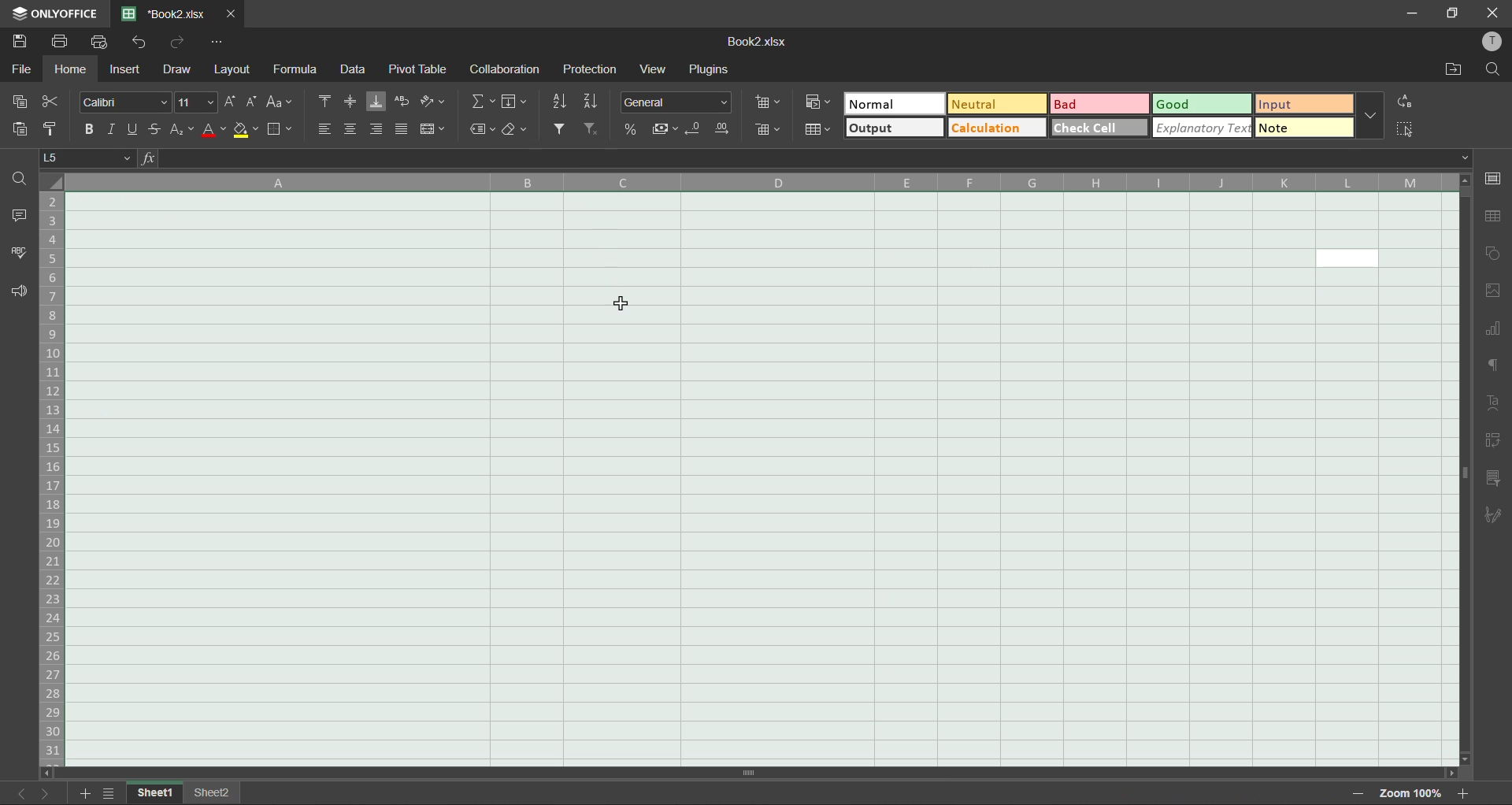 The image size is (1512, 805). Describe the element at coordinates (87, 793) in the screenshot. I see `add list` at that location.